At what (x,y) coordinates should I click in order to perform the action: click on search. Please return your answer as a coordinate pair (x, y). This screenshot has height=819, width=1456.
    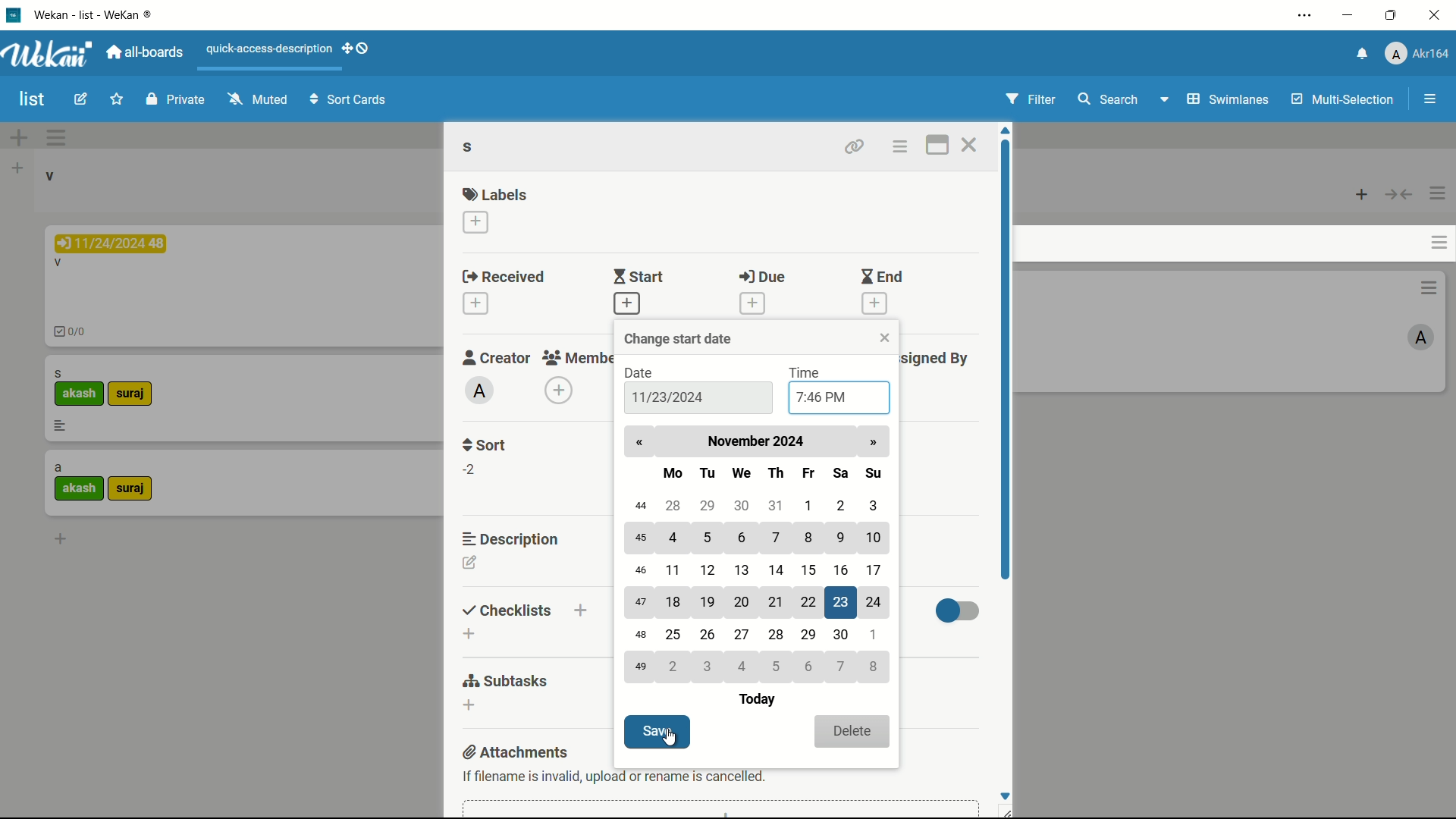
    Looking at the image, I should click on (1107, 99).